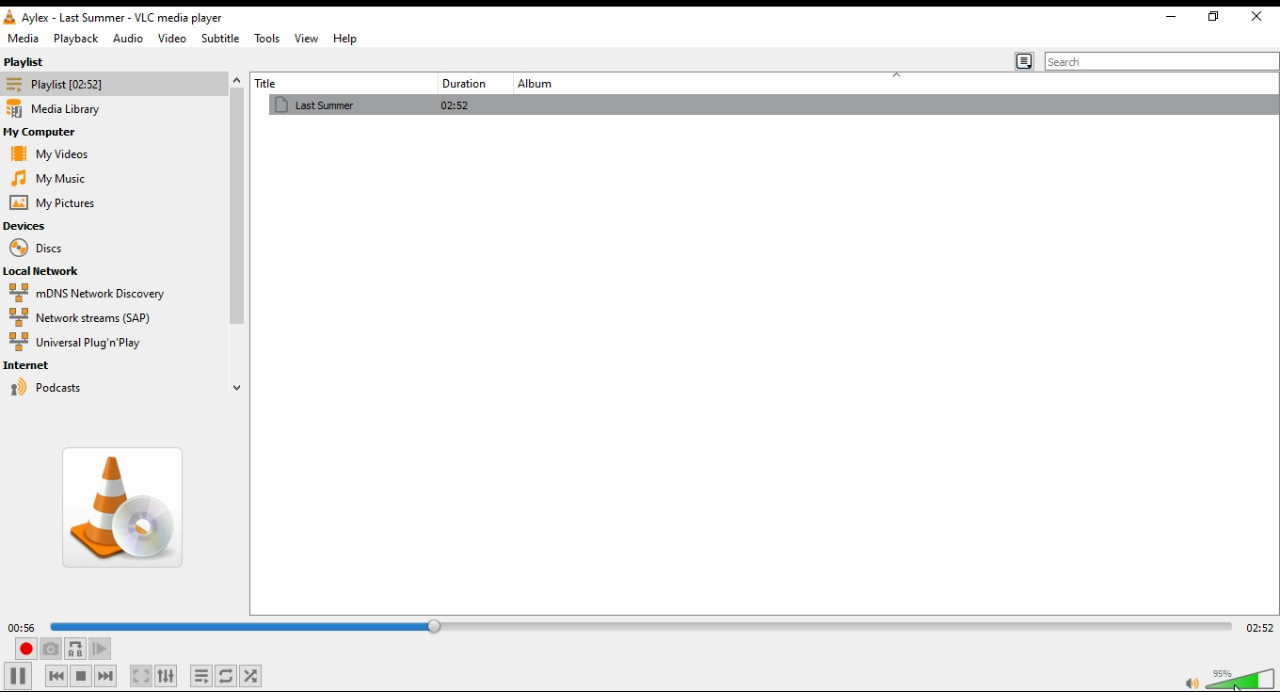  What do you see at coordinates (220, 38) in the screenshot?
I see `subtitle` at bounding box center [220, 38].